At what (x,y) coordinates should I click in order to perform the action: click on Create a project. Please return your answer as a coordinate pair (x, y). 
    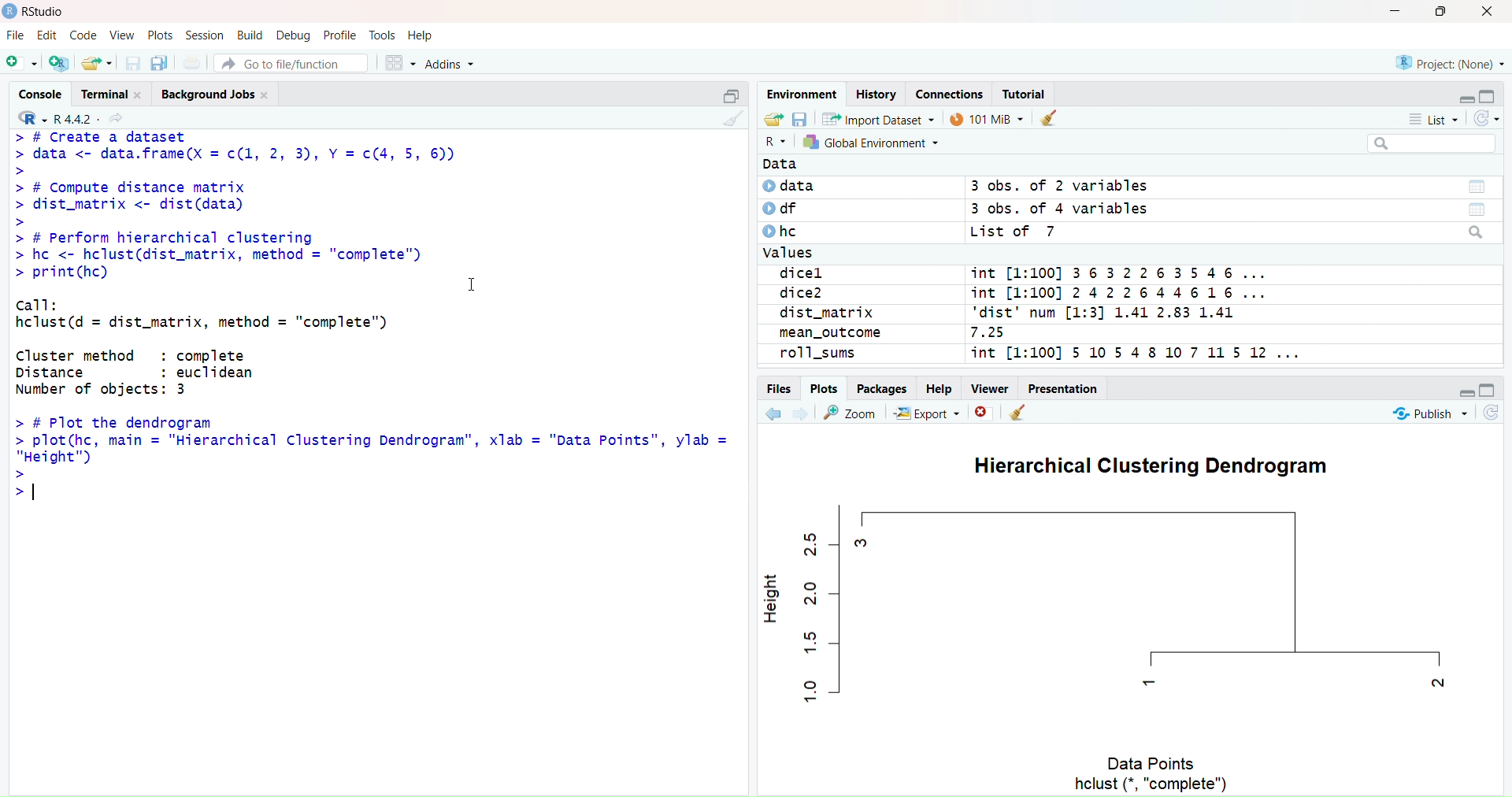
    Looking at the image, I should click on (61, 61).